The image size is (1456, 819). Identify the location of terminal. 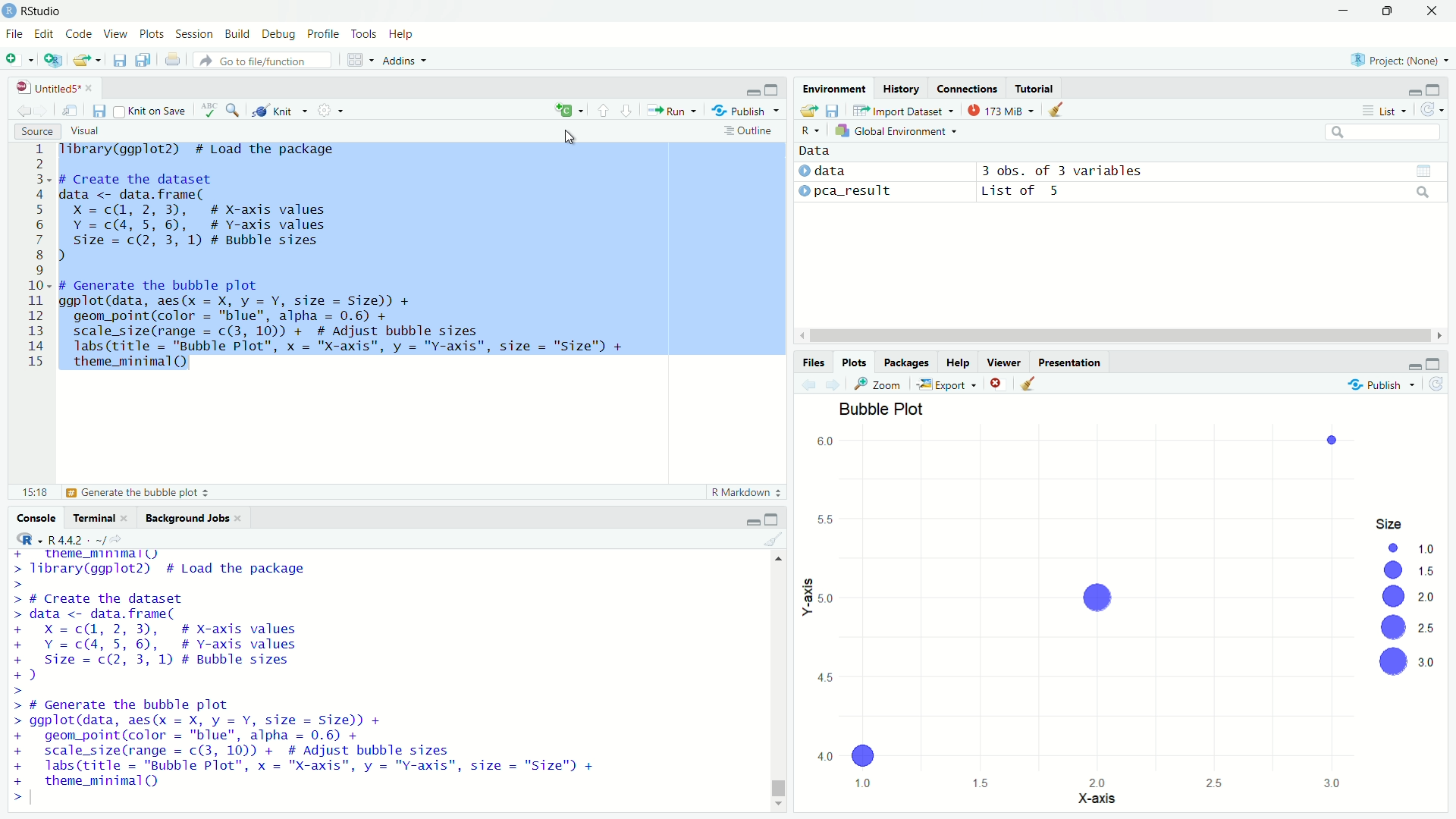
(101, 516).